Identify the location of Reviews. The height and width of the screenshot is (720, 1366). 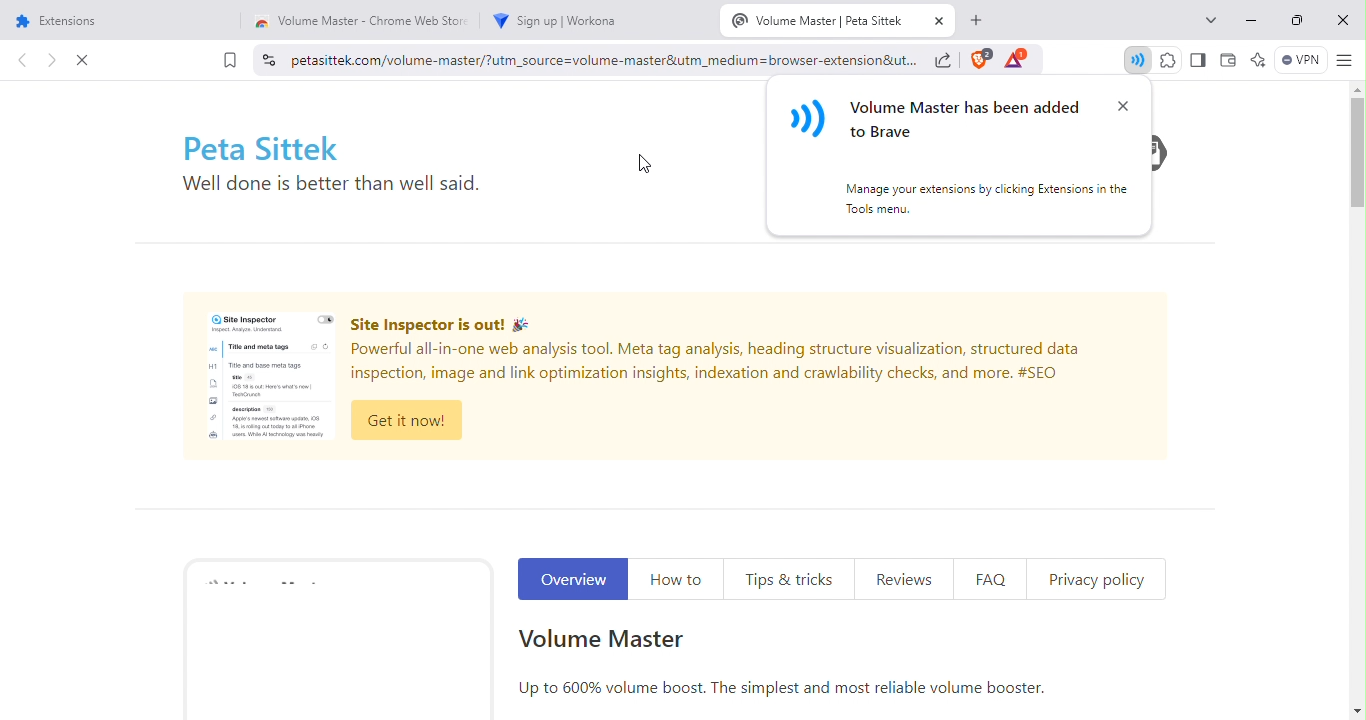
(905, 579).